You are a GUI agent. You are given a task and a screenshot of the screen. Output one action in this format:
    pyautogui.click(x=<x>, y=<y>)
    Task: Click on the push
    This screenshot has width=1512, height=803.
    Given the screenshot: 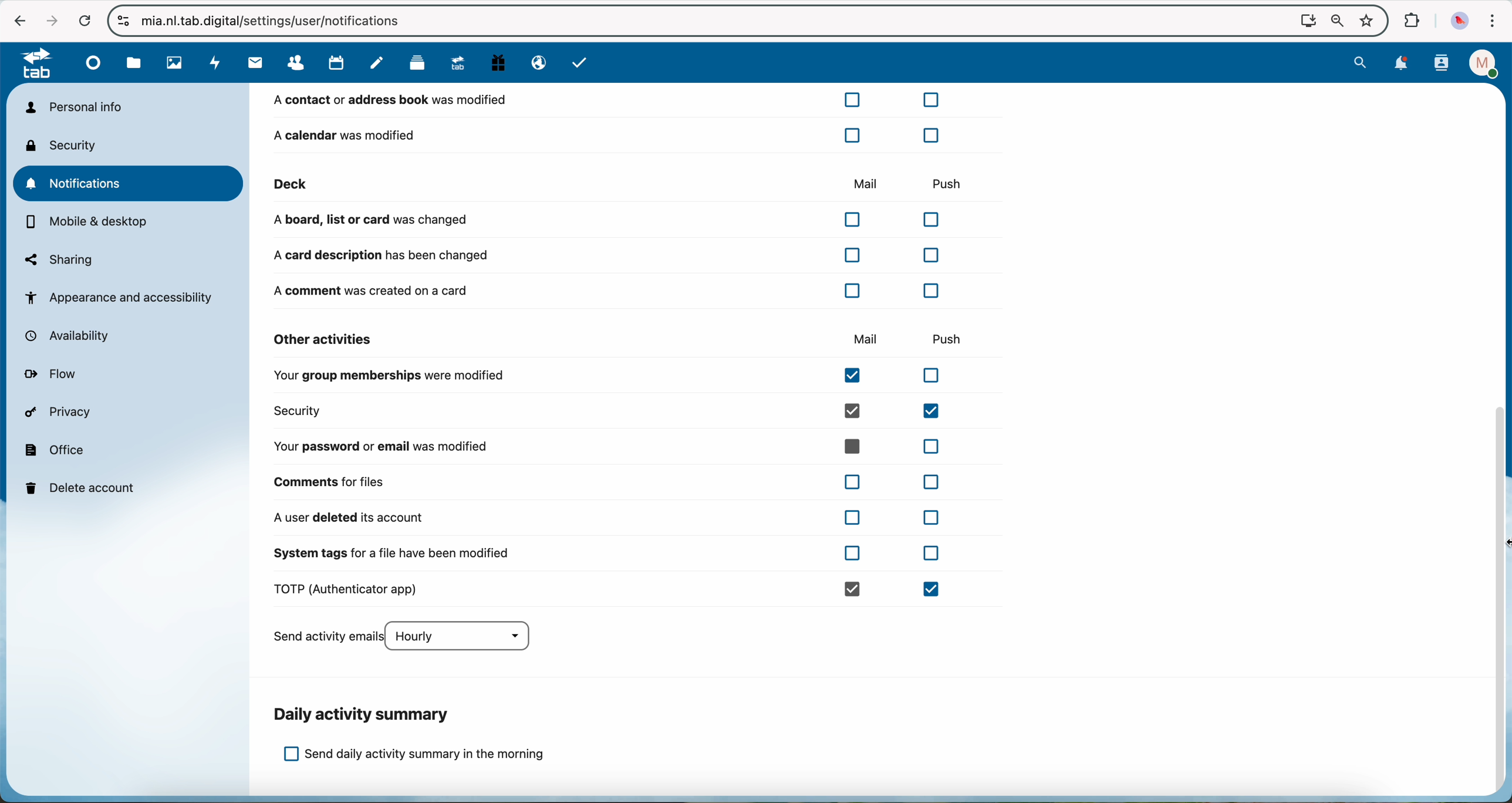 What is the action you would take?
    pyautogui.click(x=946, y=180)
    